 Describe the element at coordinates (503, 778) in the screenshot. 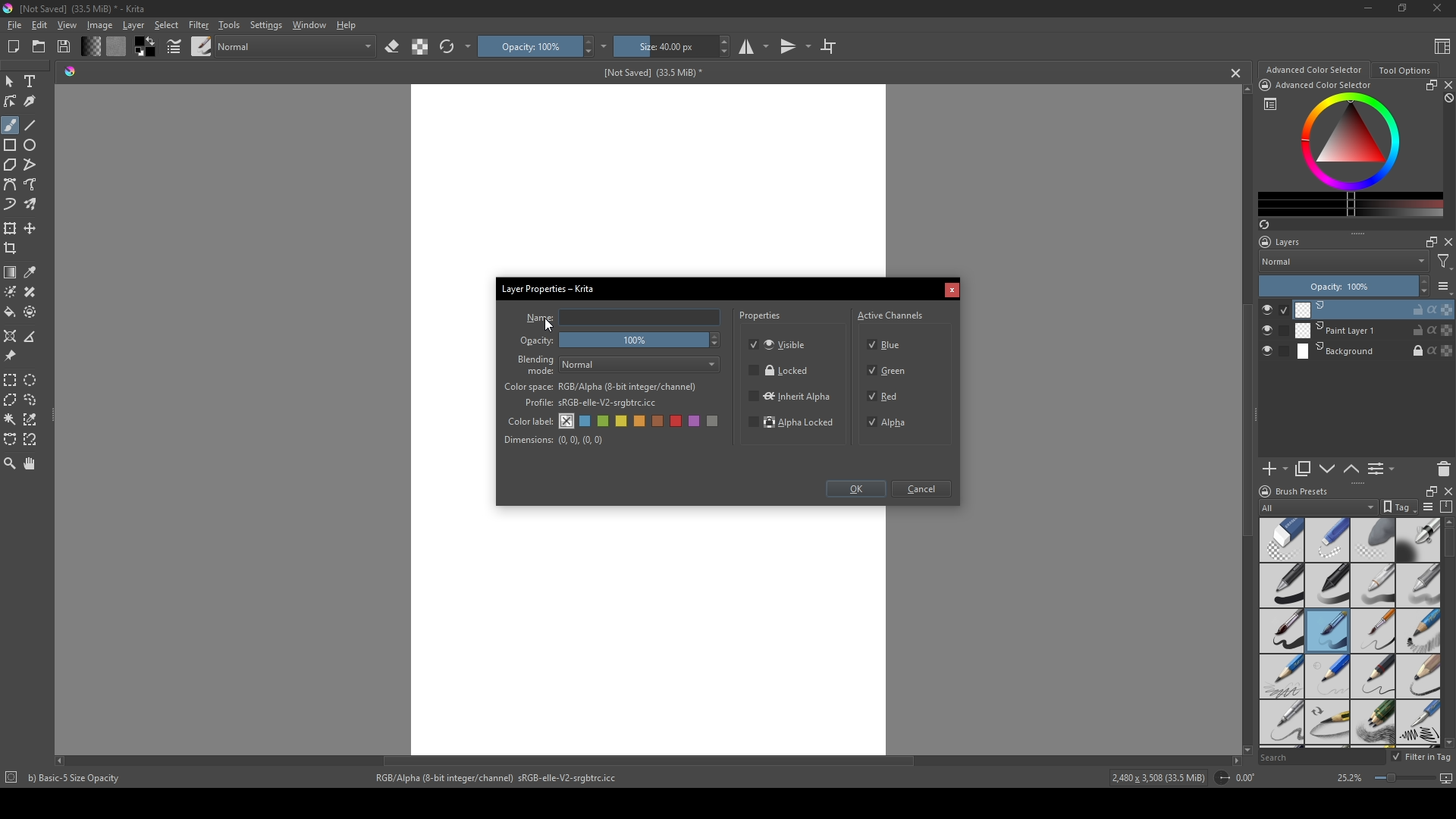

I see `RGB/Alpha (8-bit integer/channel) sRGB-elle-V2-srgbtrc.icc` at that location.